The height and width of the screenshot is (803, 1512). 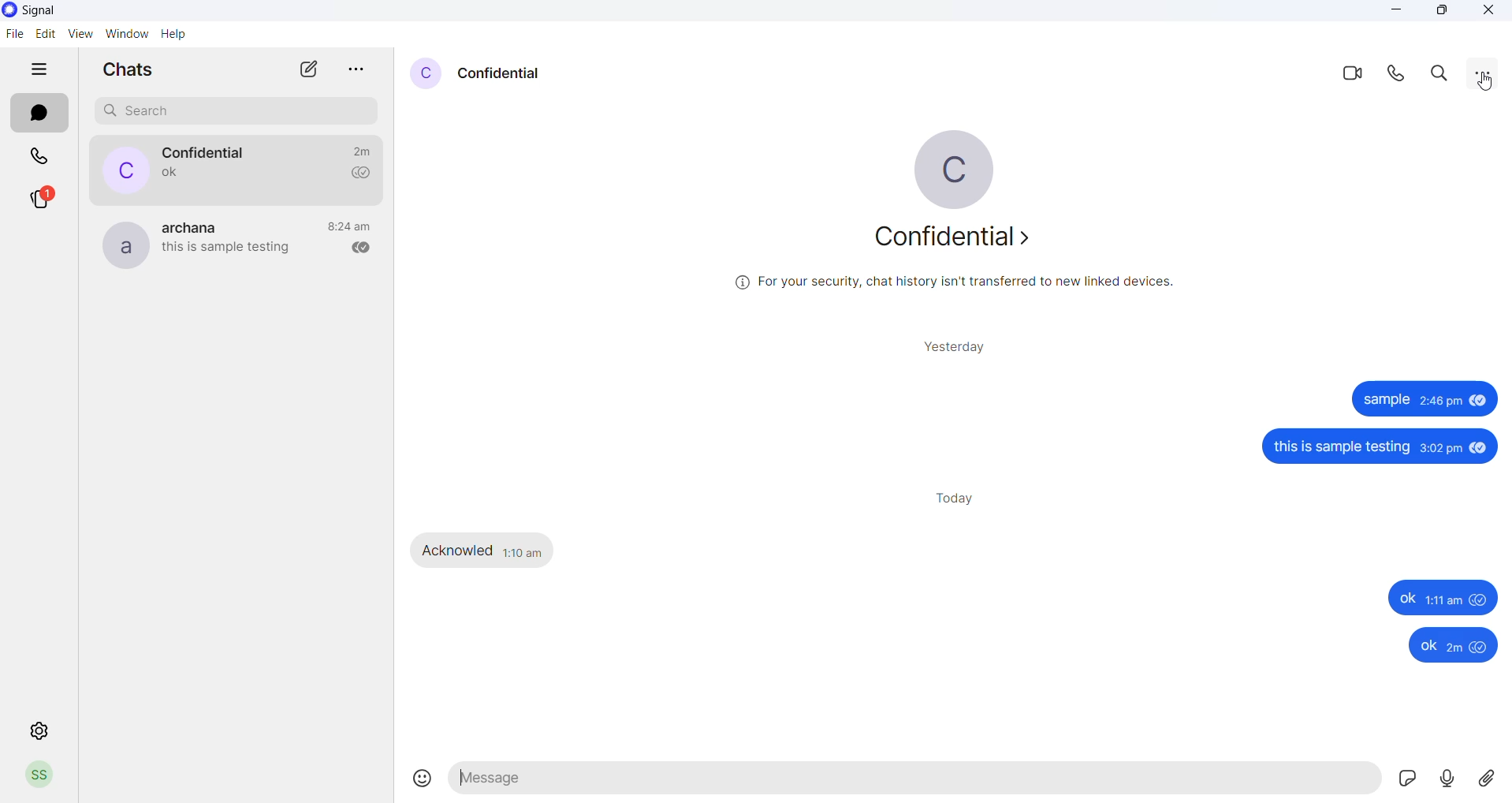 What do you see at coordinates (116, 170) in the screenshot?
I see `profile picture` at bounding box center [116, 170].